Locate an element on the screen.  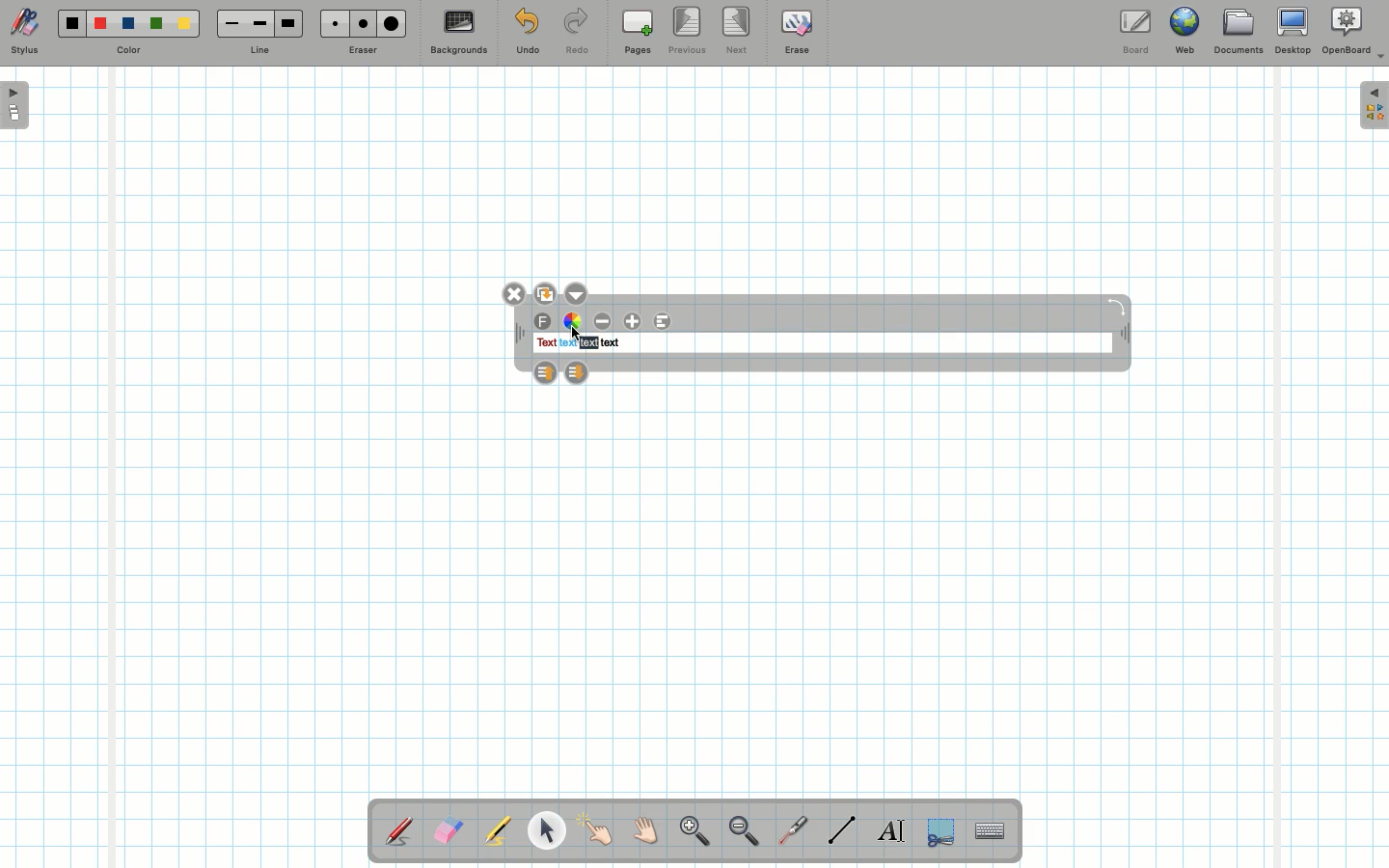
Documents is located at coordinates (1238, 34).